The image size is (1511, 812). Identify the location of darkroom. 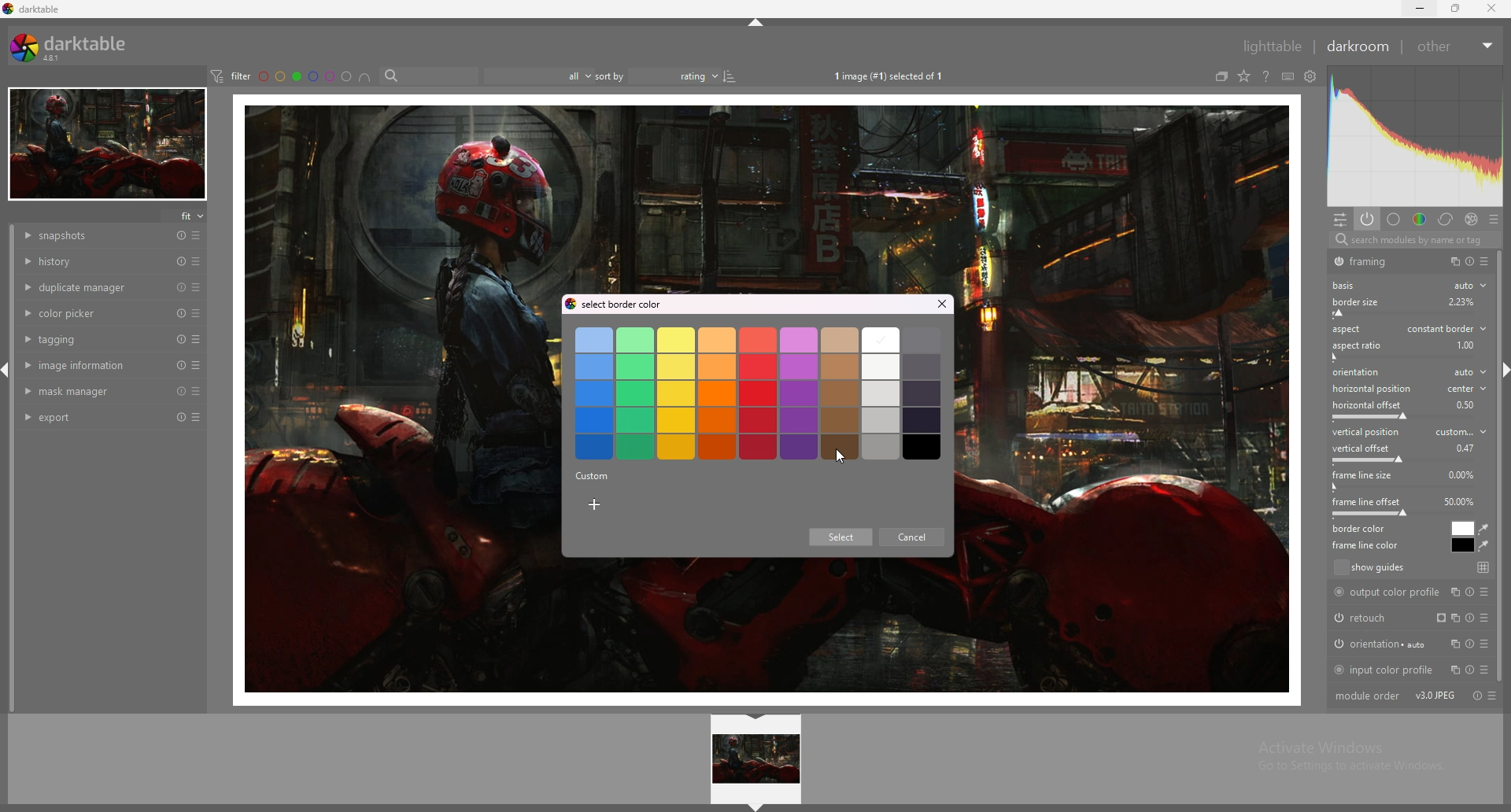
(1357, 46).